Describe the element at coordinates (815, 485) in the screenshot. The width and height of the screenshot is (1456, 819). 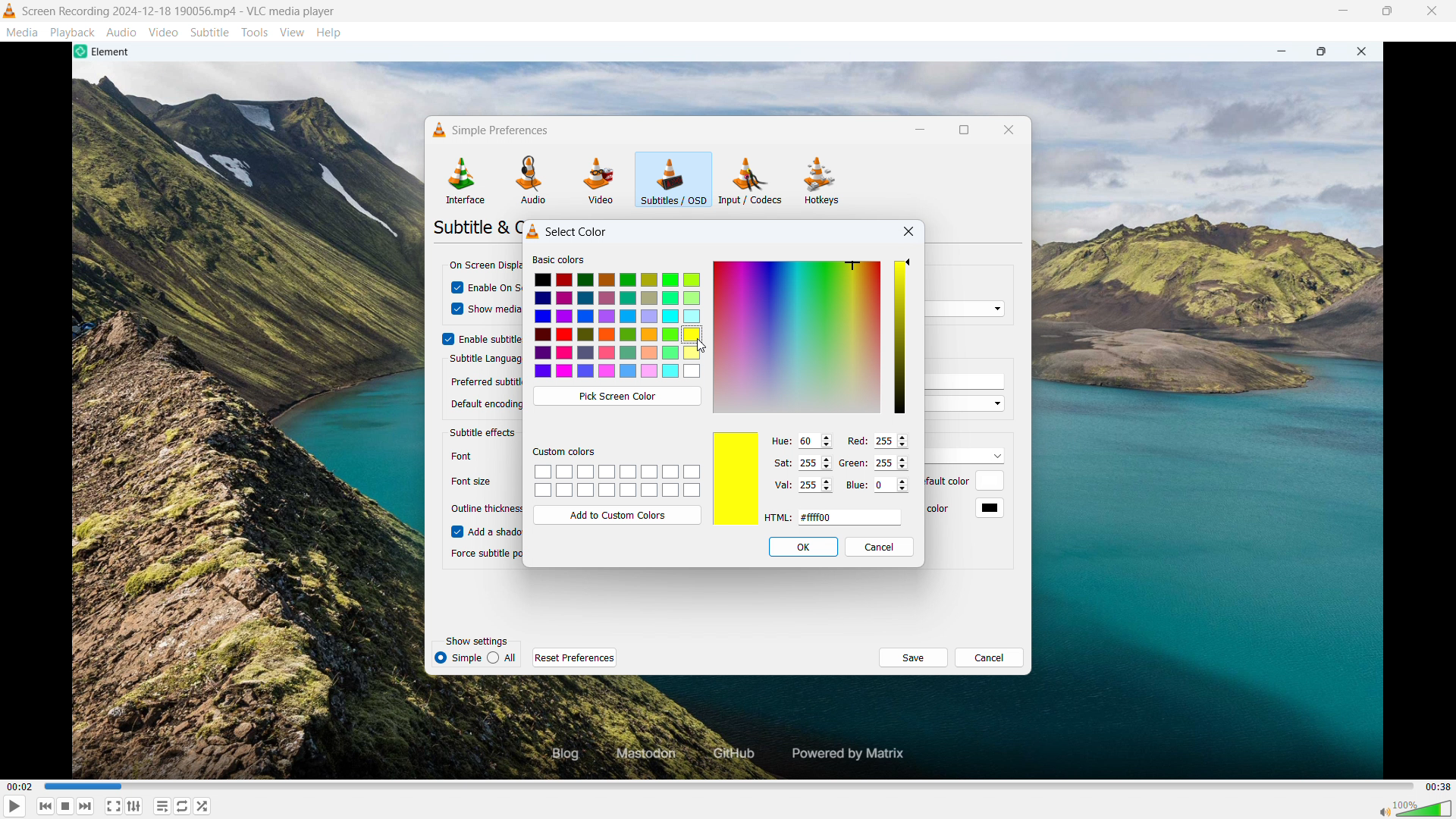
I see `set val` at that location.